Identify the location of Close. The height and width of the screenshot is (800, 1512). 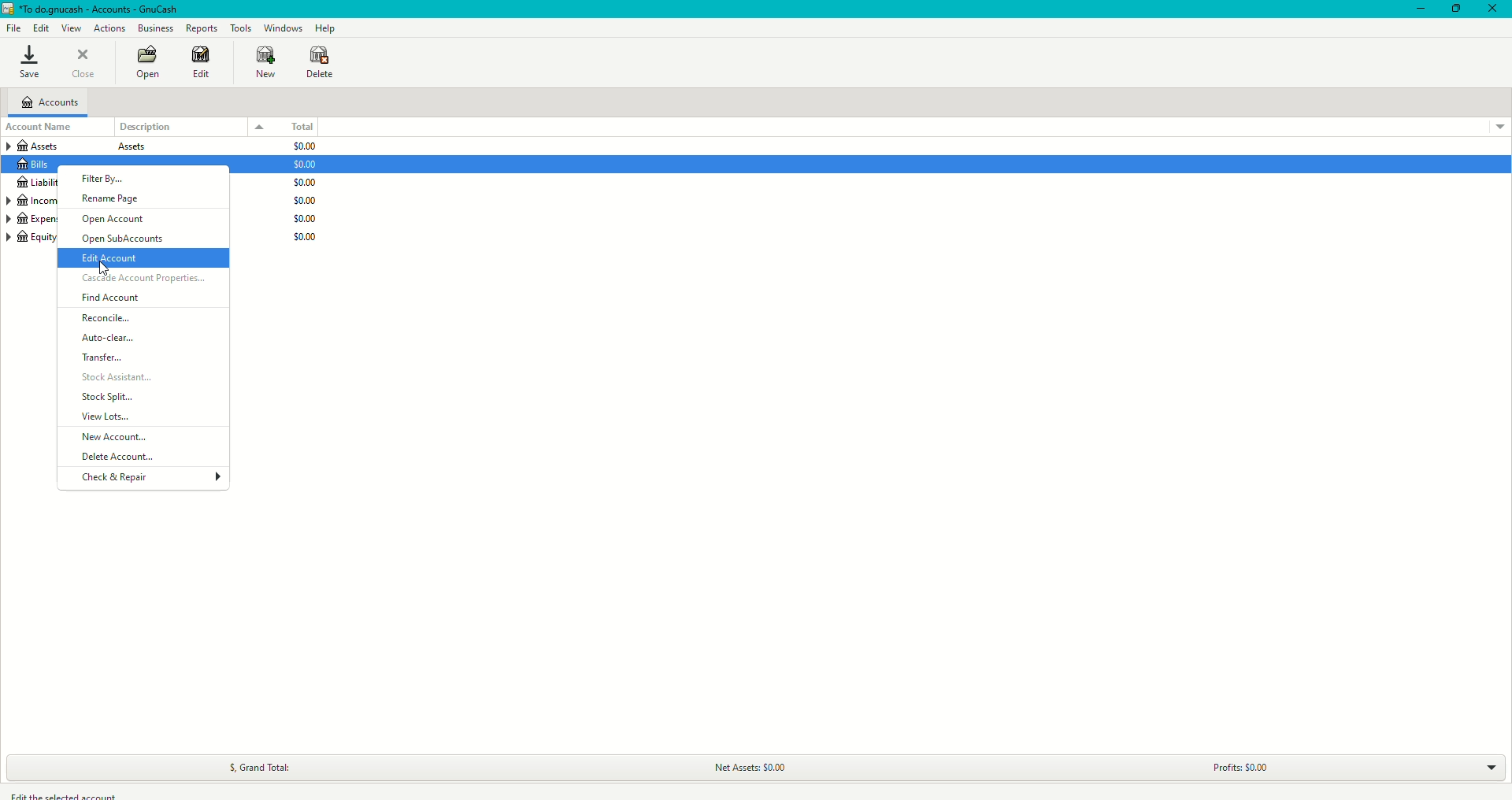
(1495, 9).